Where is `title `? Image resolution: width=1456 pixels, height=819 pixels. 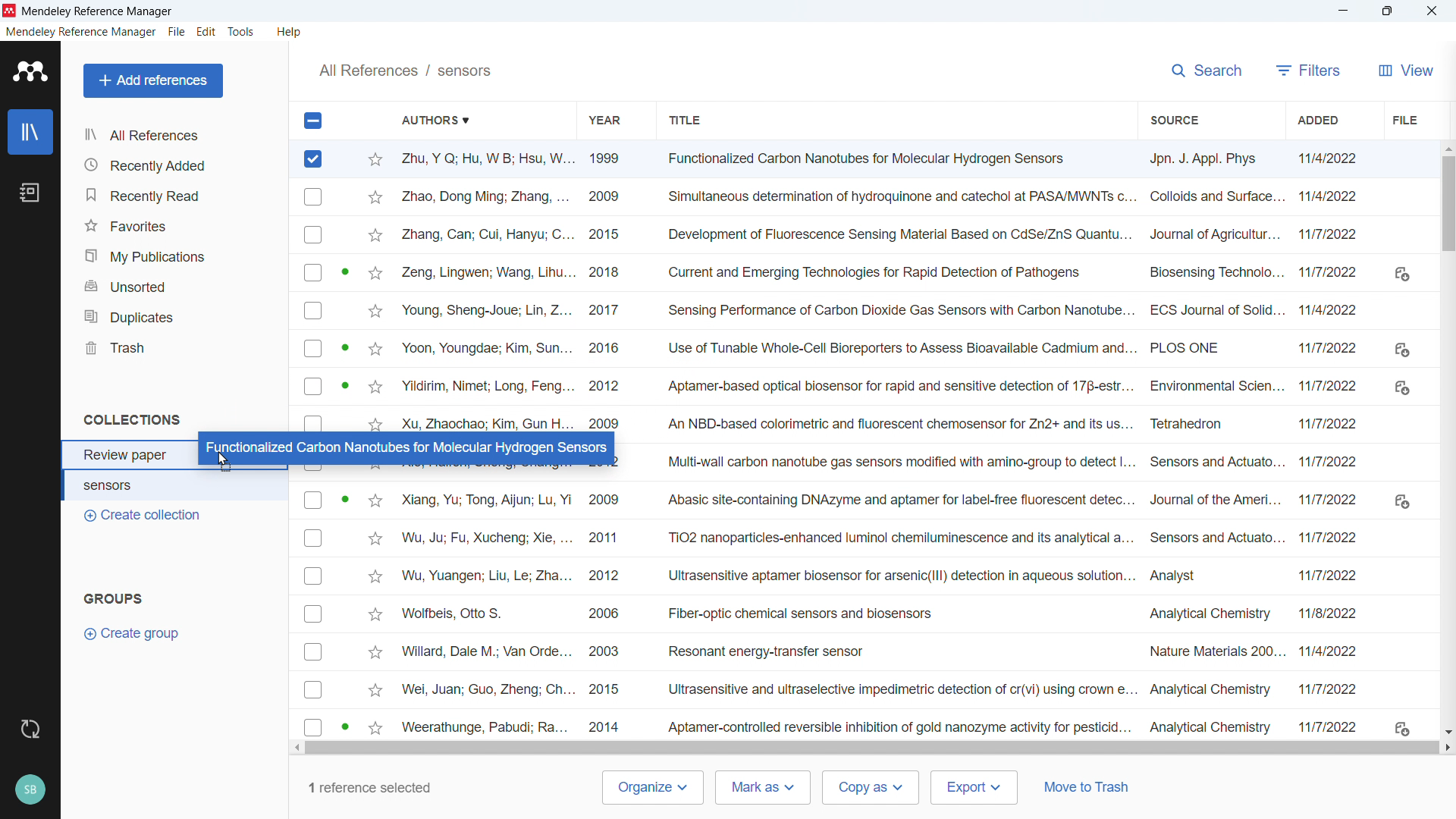 title  is located at coordinates (98, 11).